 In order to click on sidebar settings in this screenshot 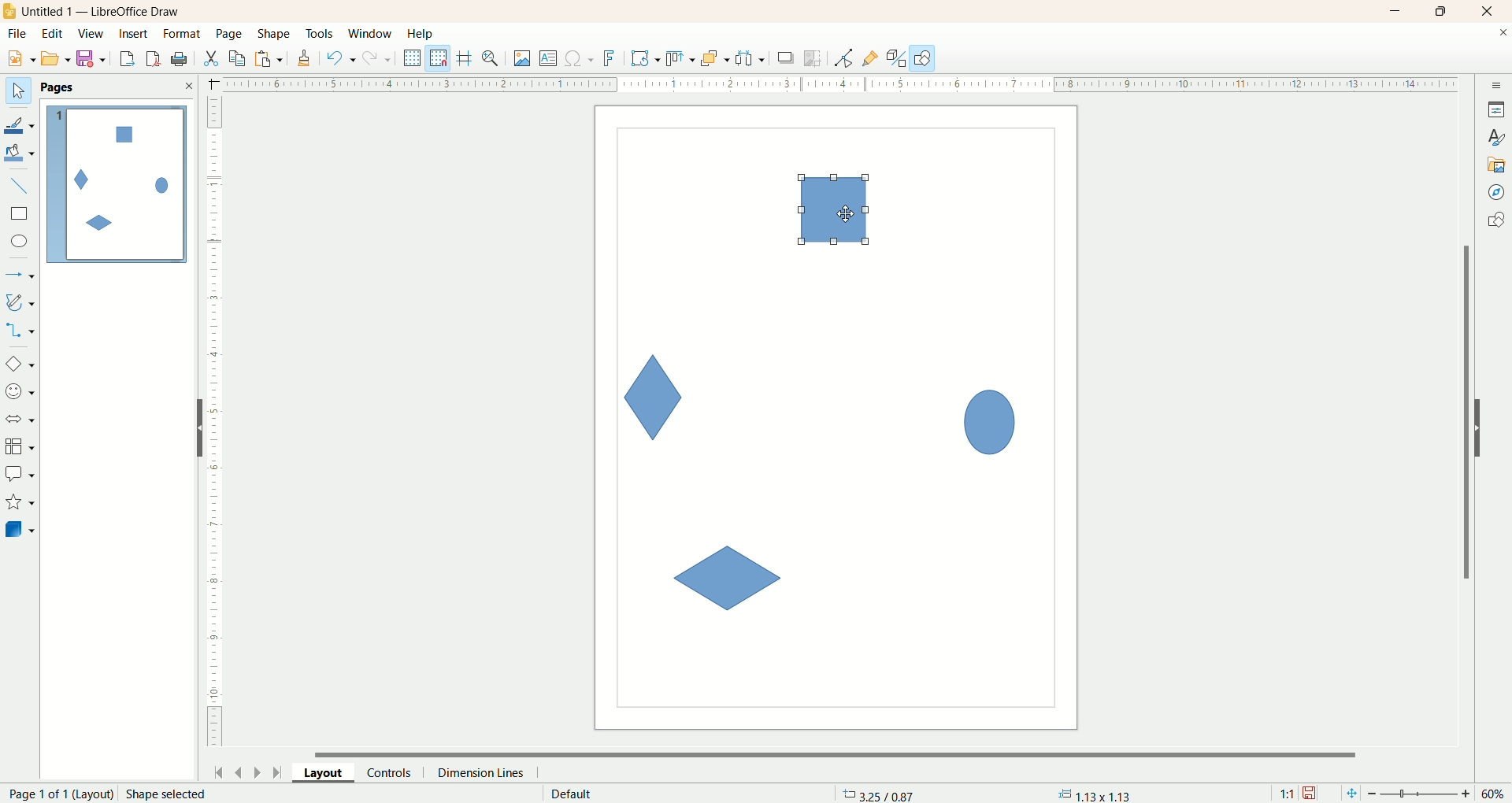, I will do `click(1497, 83)`.